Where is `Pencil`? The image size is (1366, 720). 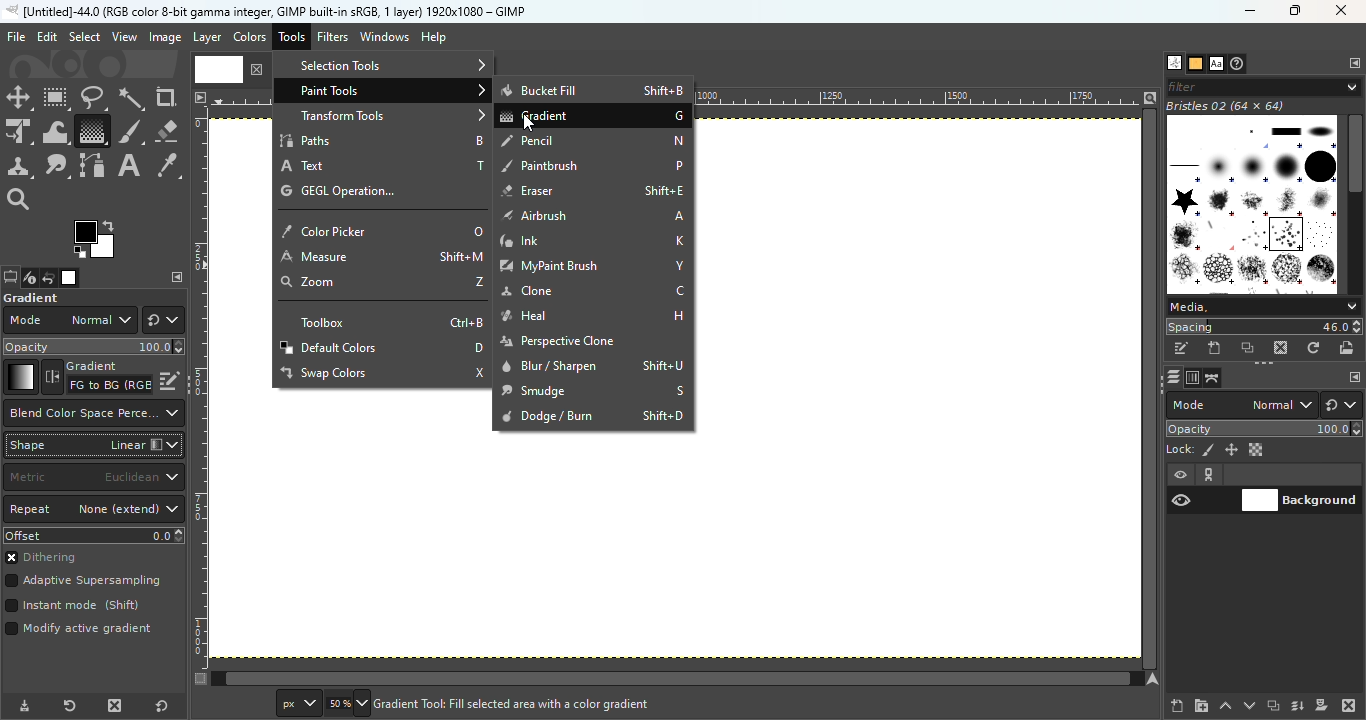
Pencil is located at coordinates (591, 142).